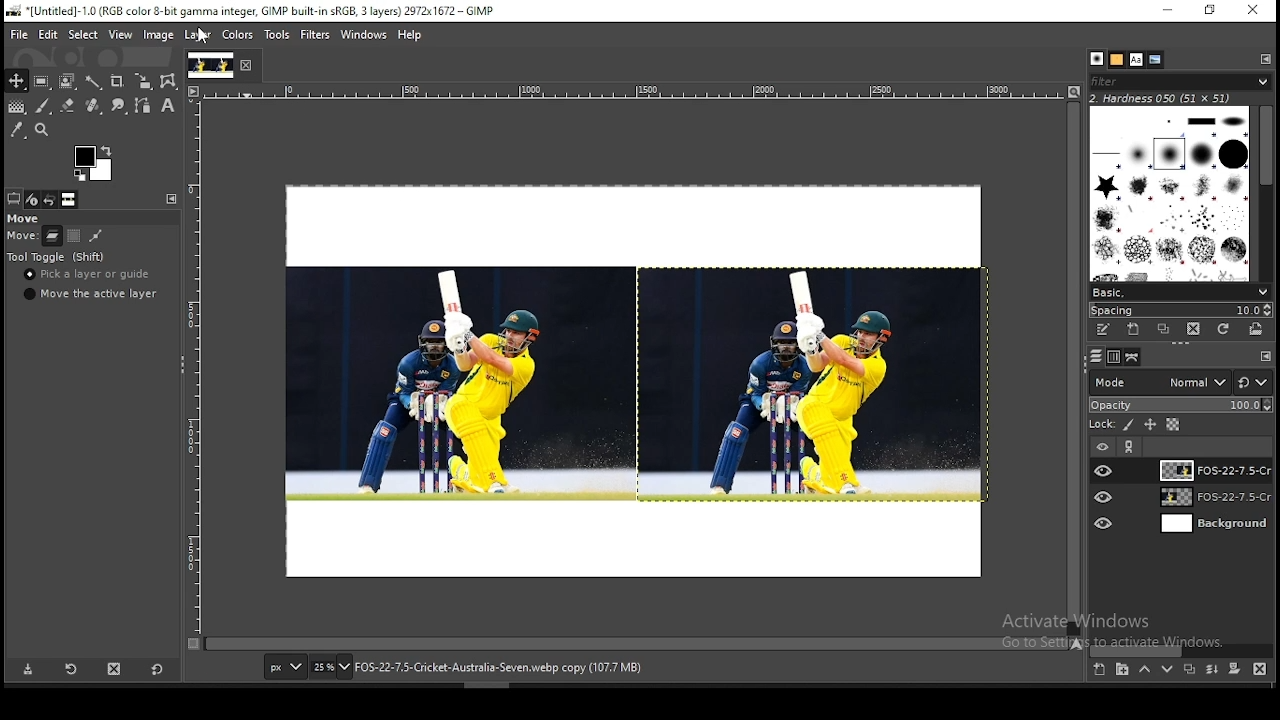 This screenshot has width=1280, height=720. Describe the element at coordinates (1258, 329) in the screenshot. I see `open brush as image` at that location.